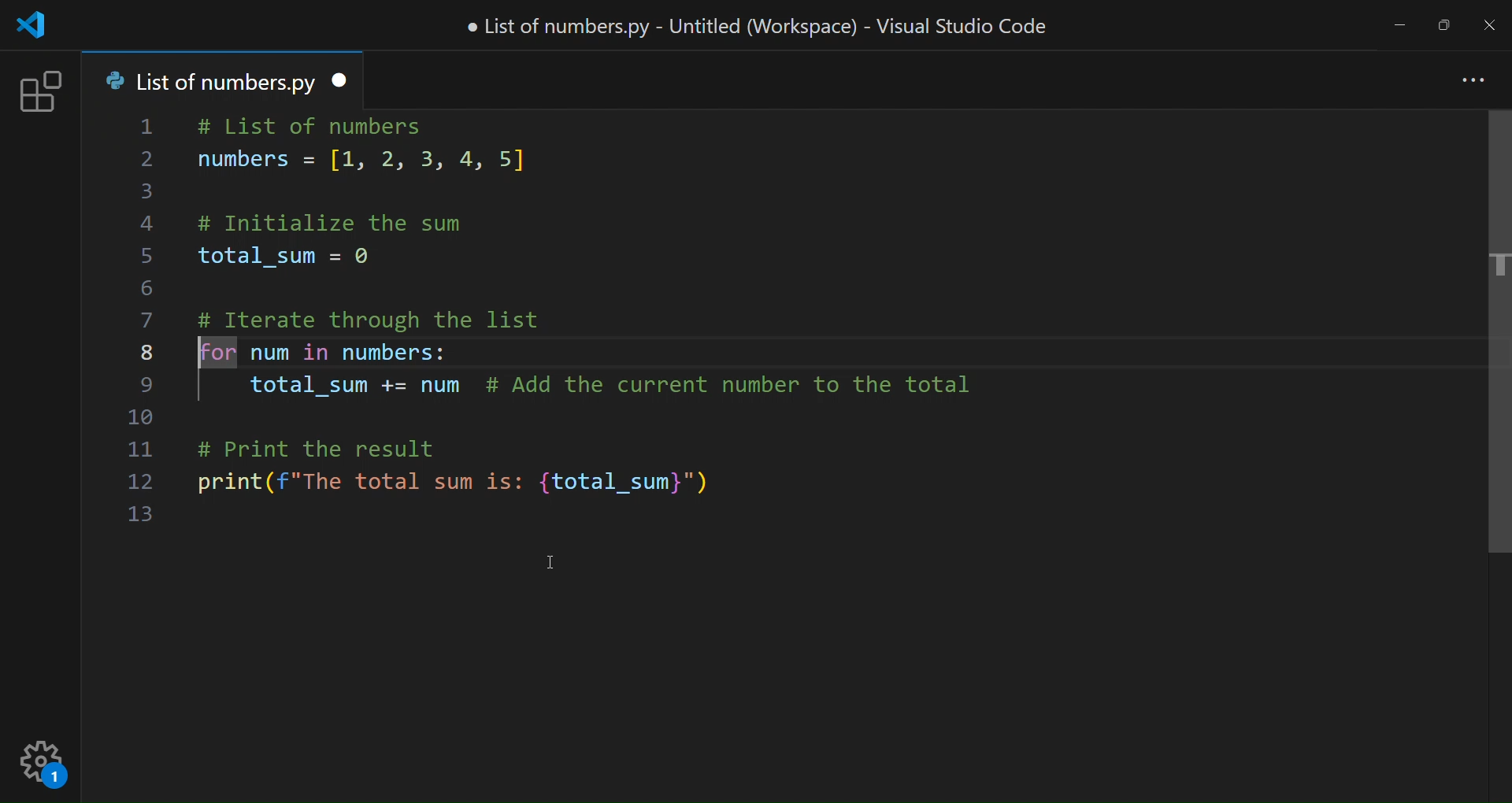  I want to click on close, so click(1490, 24).